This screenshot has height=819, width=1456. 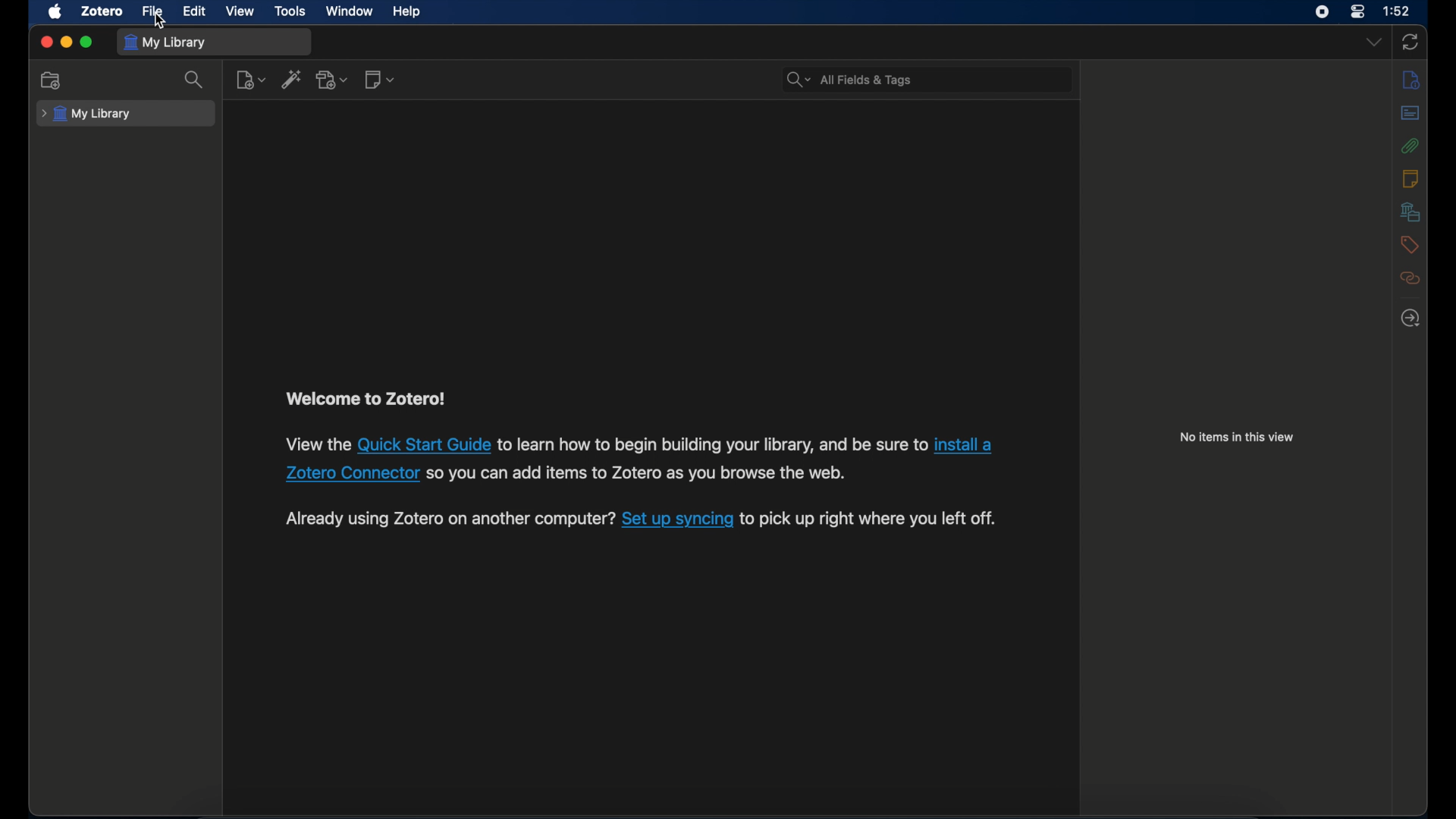 I want to click on cursor, so click(x=162, y=24).